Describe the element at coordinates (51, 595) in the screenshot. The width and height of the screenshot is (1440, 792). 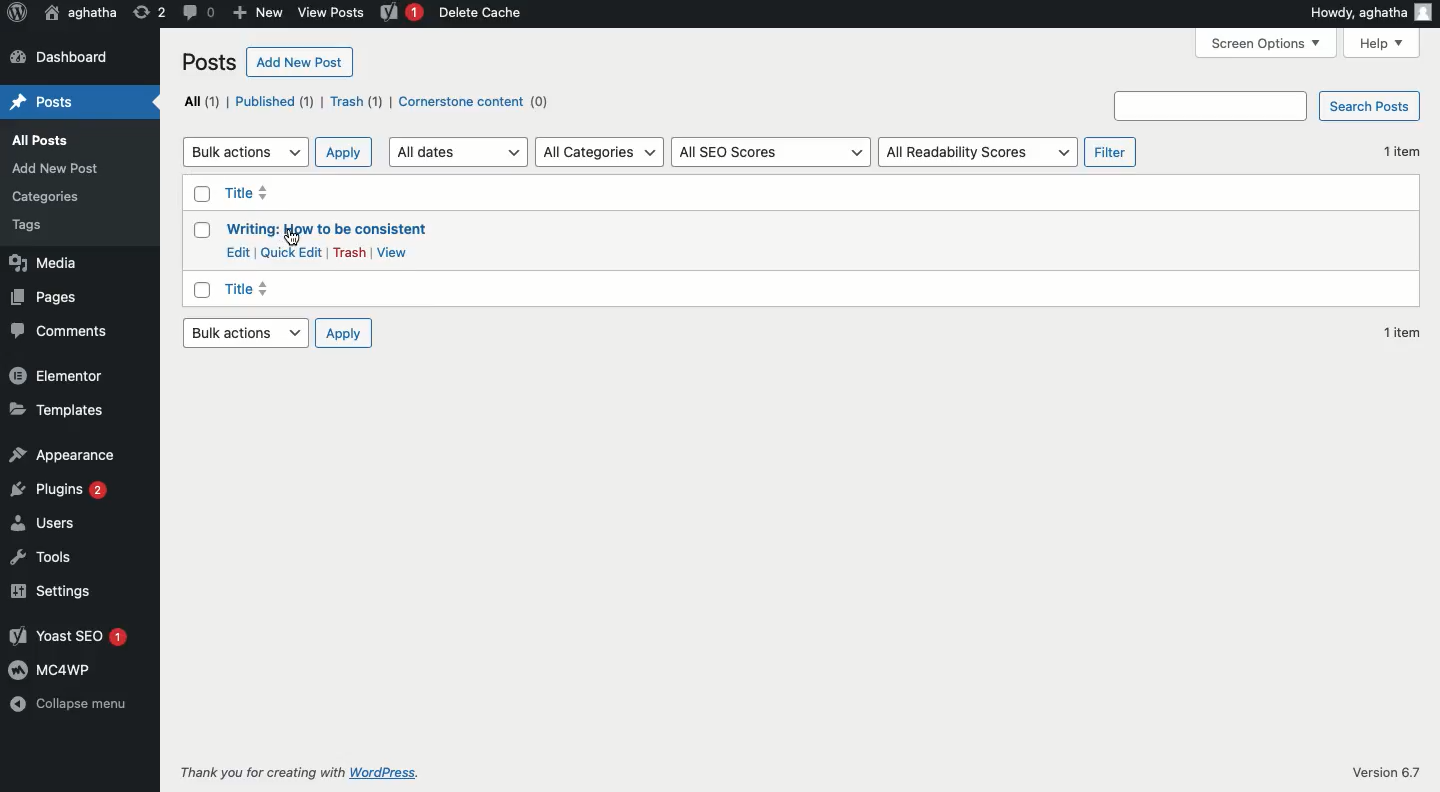
I see `Settings` at that location.